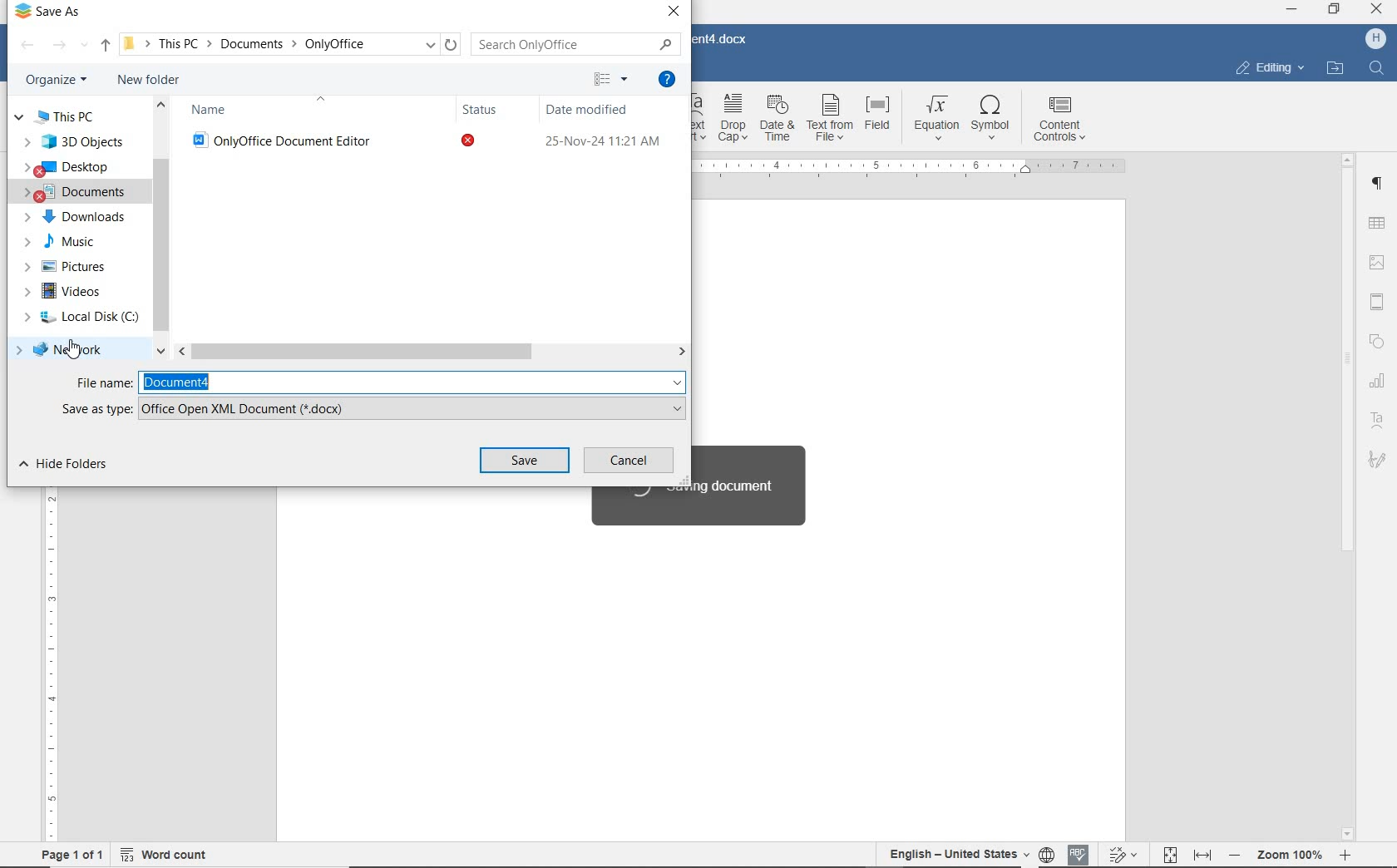  I want to click on FIND, so click(1376, 69).